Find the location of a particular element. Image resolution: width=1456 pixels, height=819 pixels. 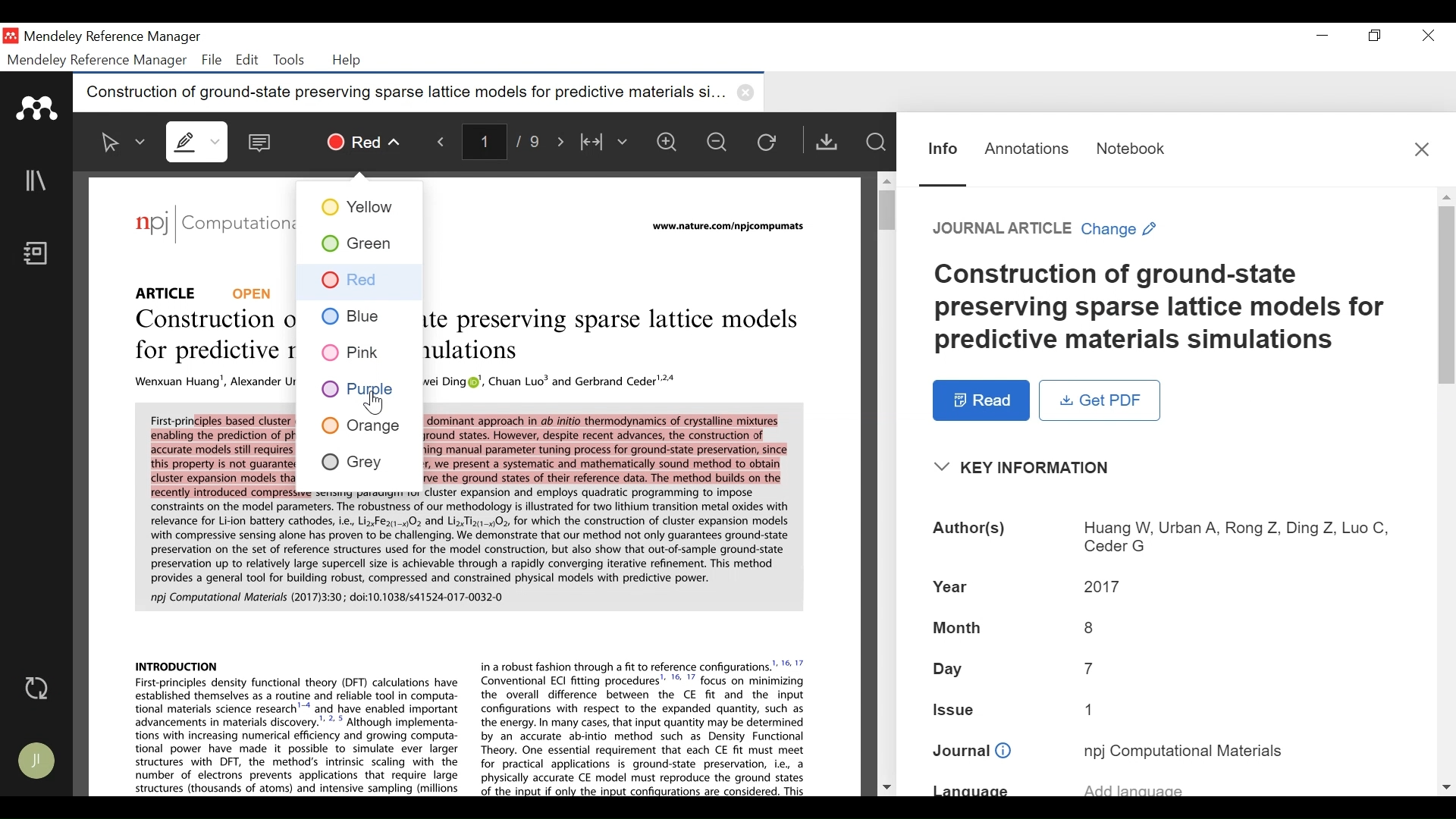

Issue is located at coordinates (961, 711).